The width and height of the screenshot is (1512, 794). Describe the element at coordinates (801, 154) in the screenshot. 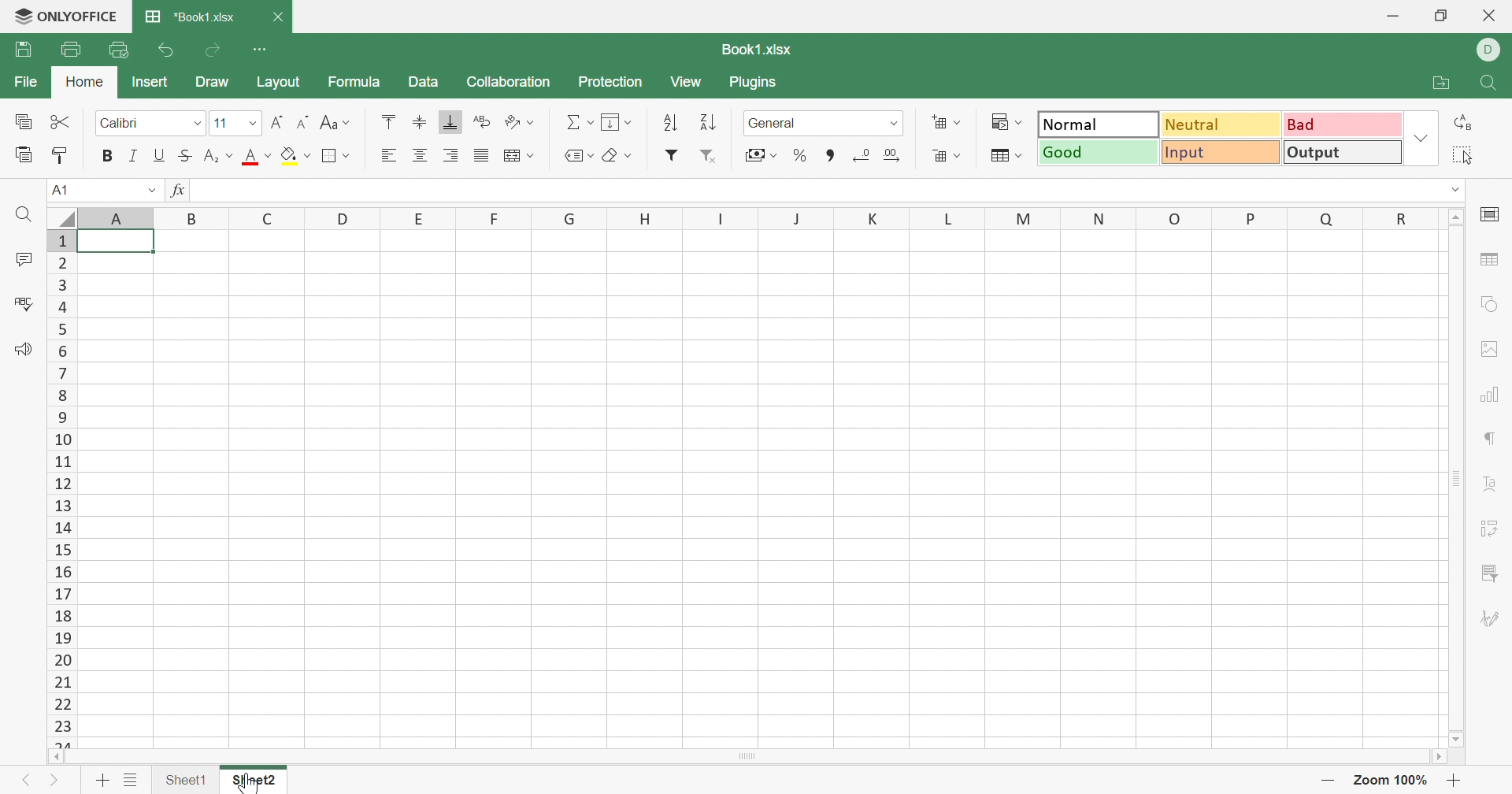

I see `Percentage style` at that location.